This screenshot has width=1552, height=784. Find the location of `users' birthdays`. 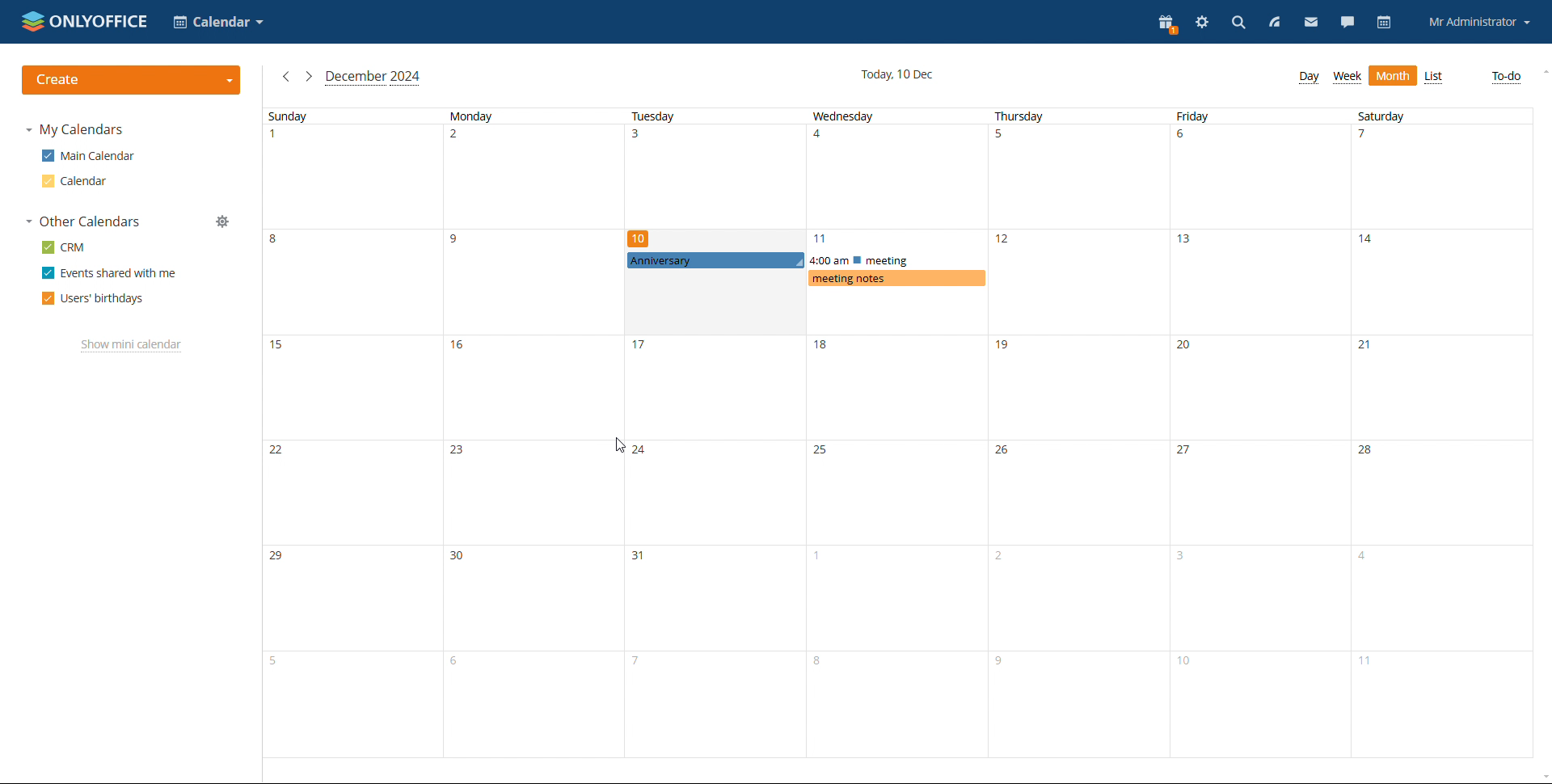

users' birthdays is located at coordinates (92, 299).